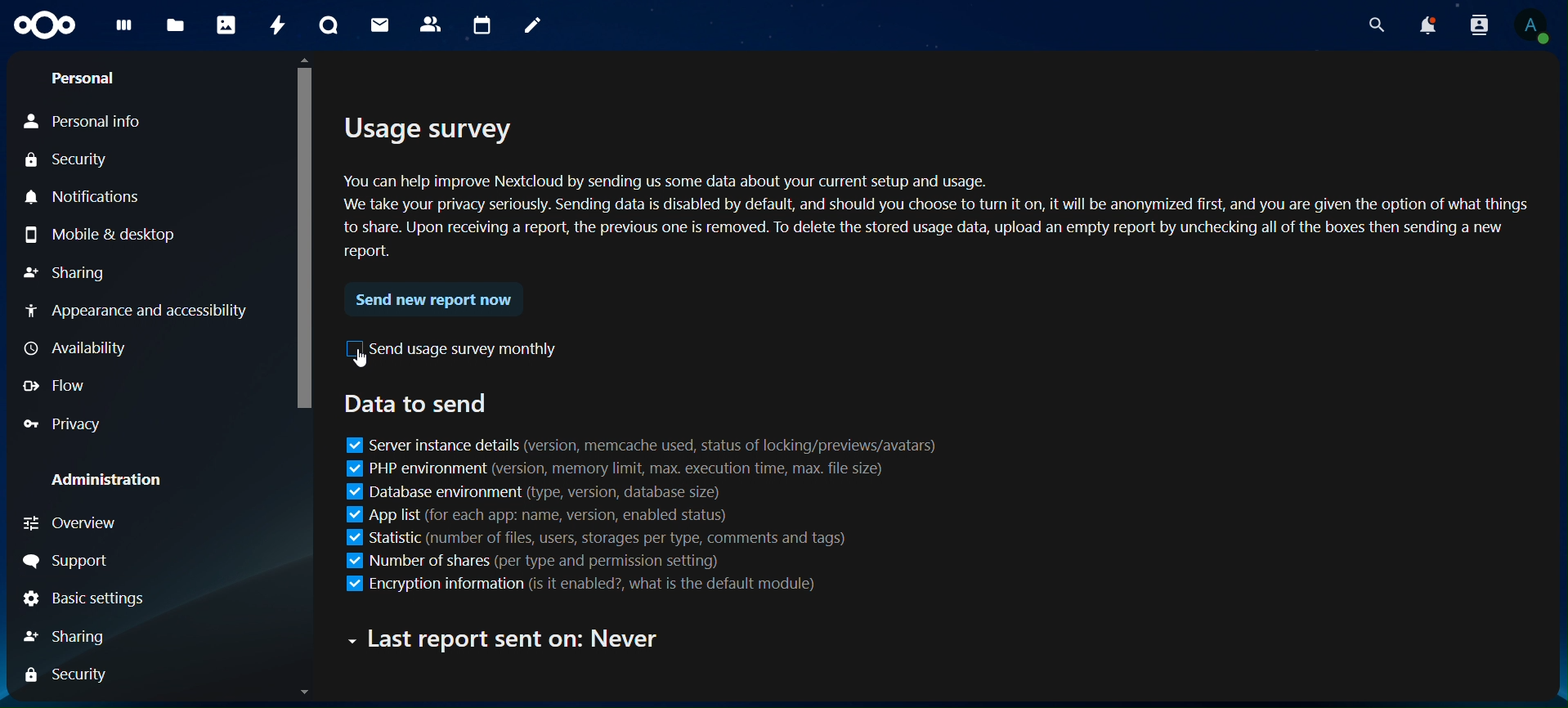  I want to click on talk, so click(329, 25).